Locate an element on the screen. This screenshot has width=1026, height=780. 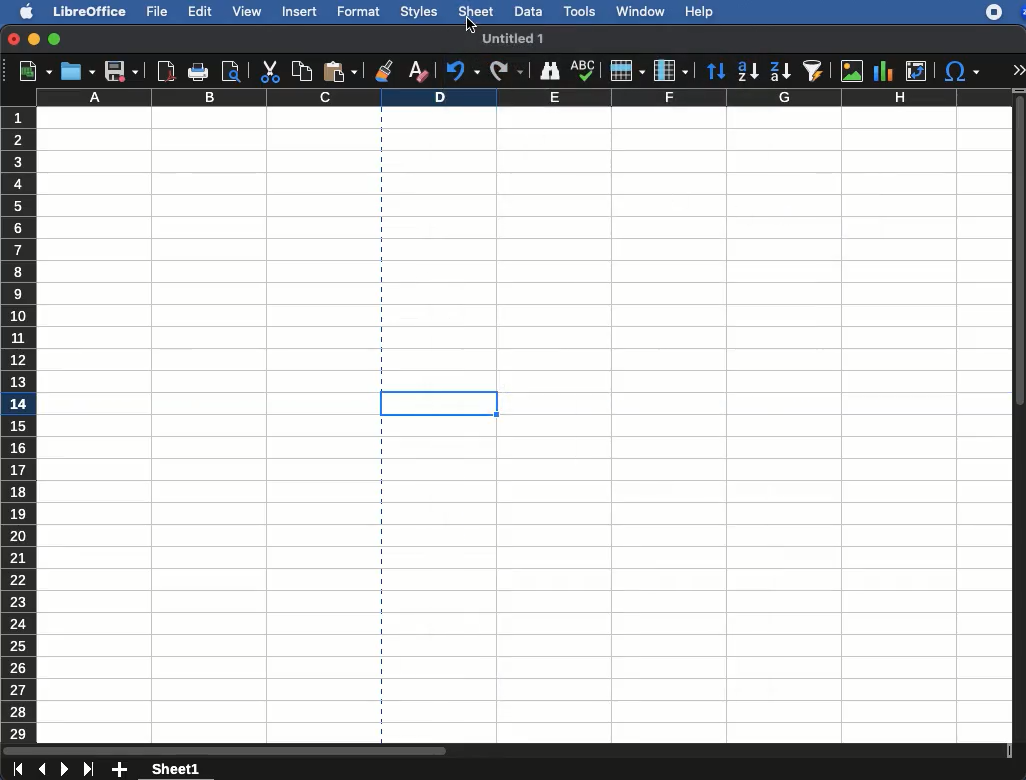
print is located at coordinates (199, 73).